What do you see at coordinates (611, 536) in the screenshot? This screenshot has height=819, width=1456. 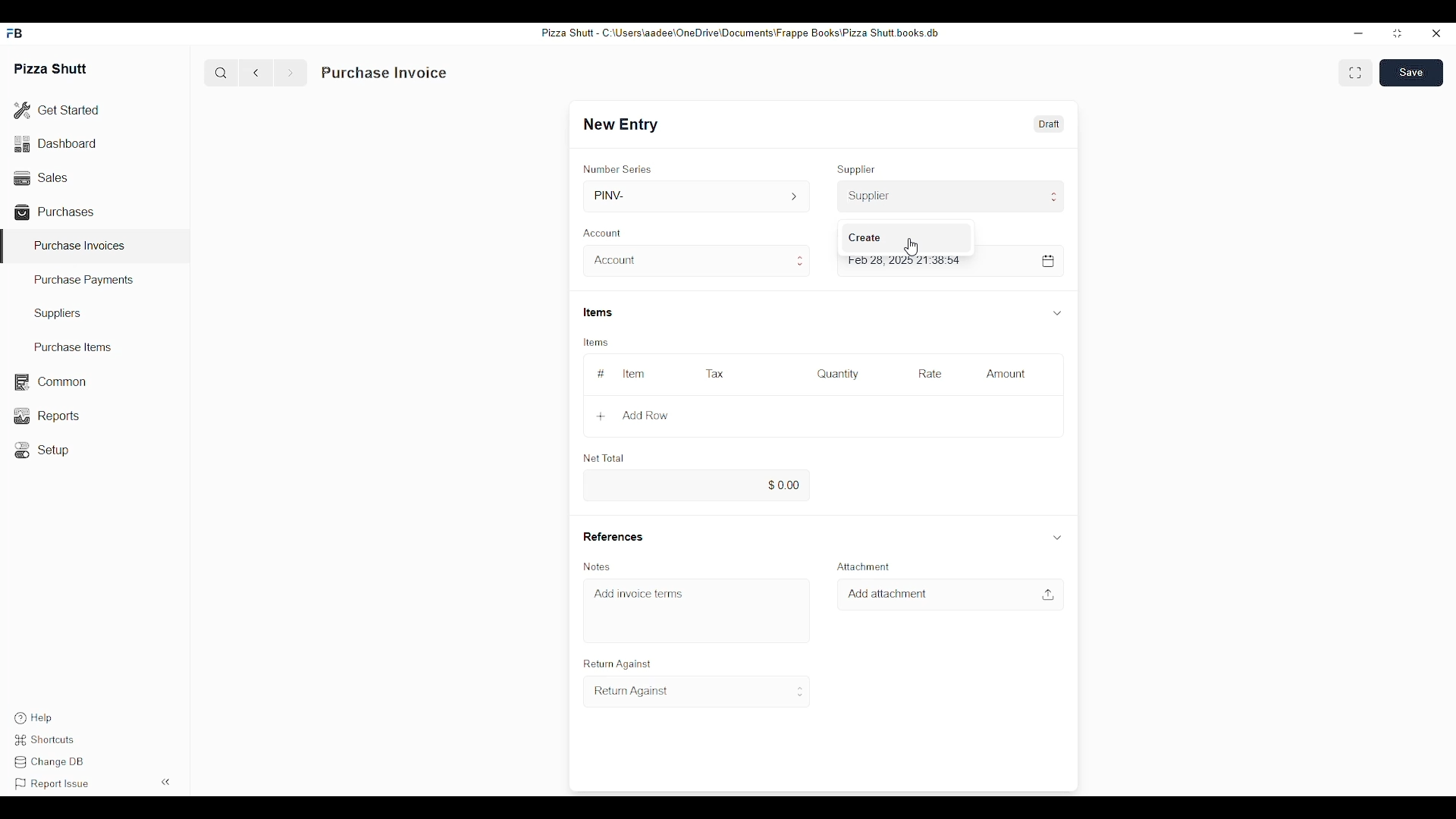 I see `References` at bounding box center [611, 536].